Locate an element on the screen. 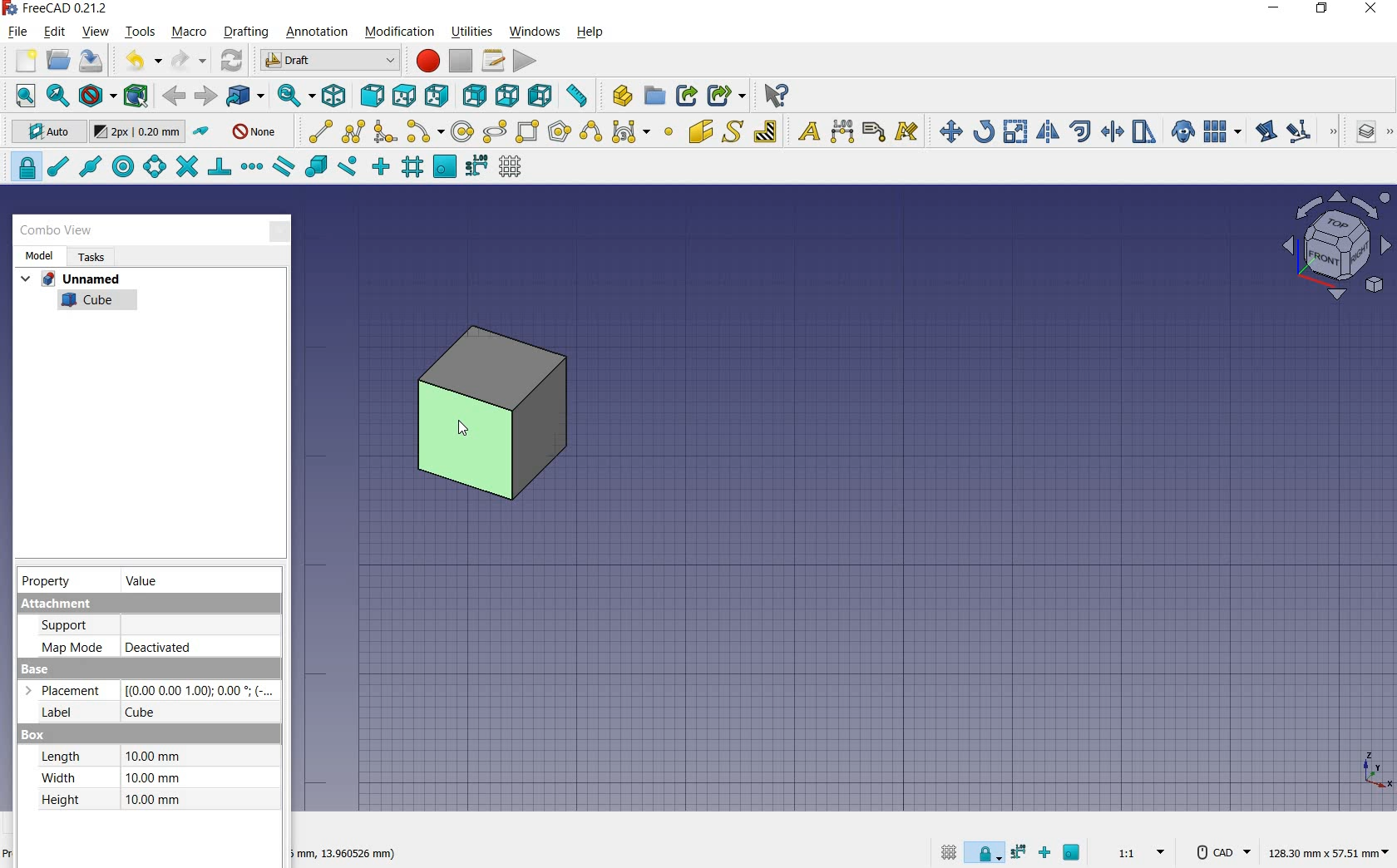 The image size is (1397, 868). tasks is located at coordinates (105, 257).